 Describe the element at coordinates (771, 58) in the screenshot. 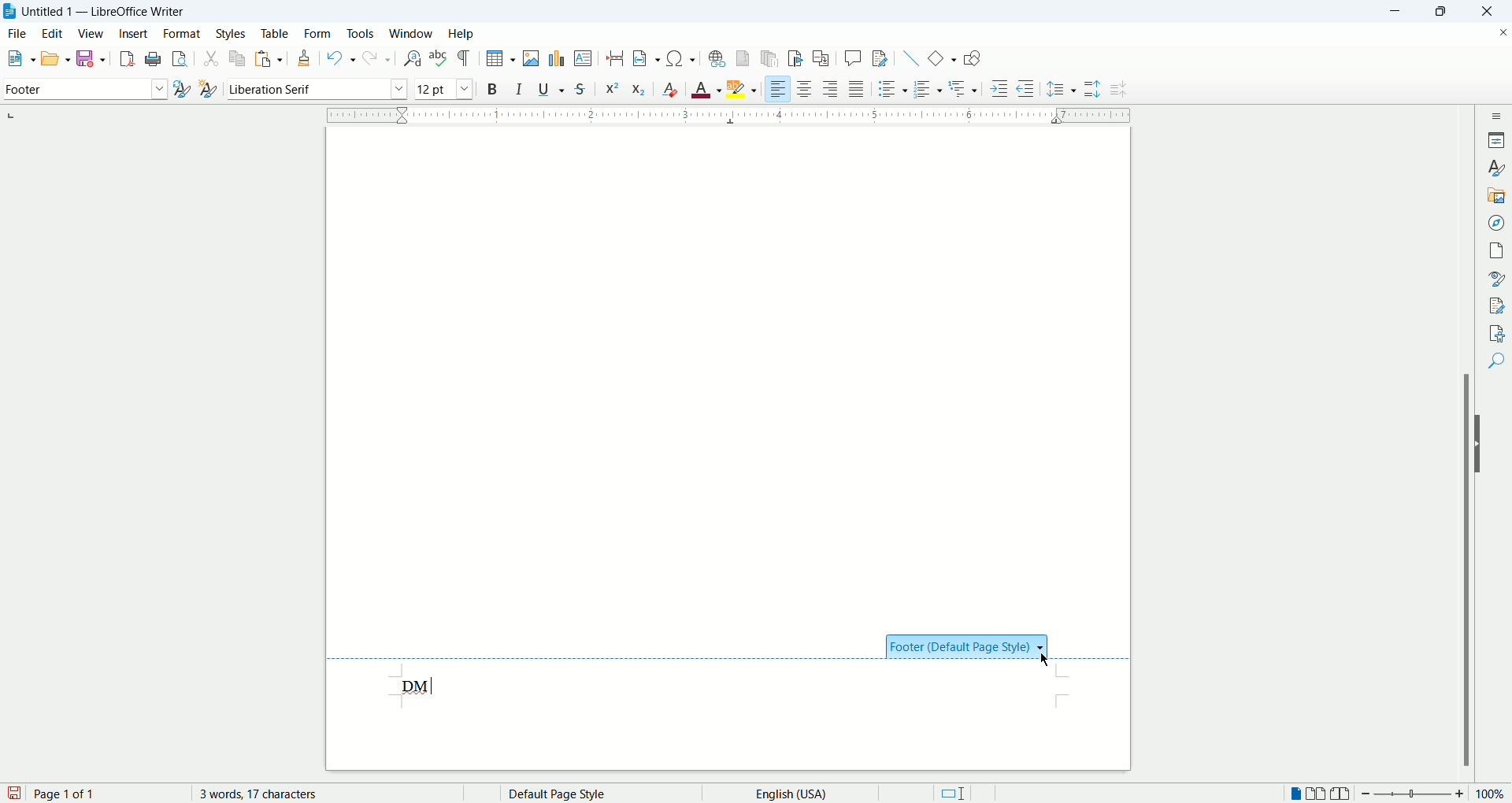

I see `insert endnote` at that location.